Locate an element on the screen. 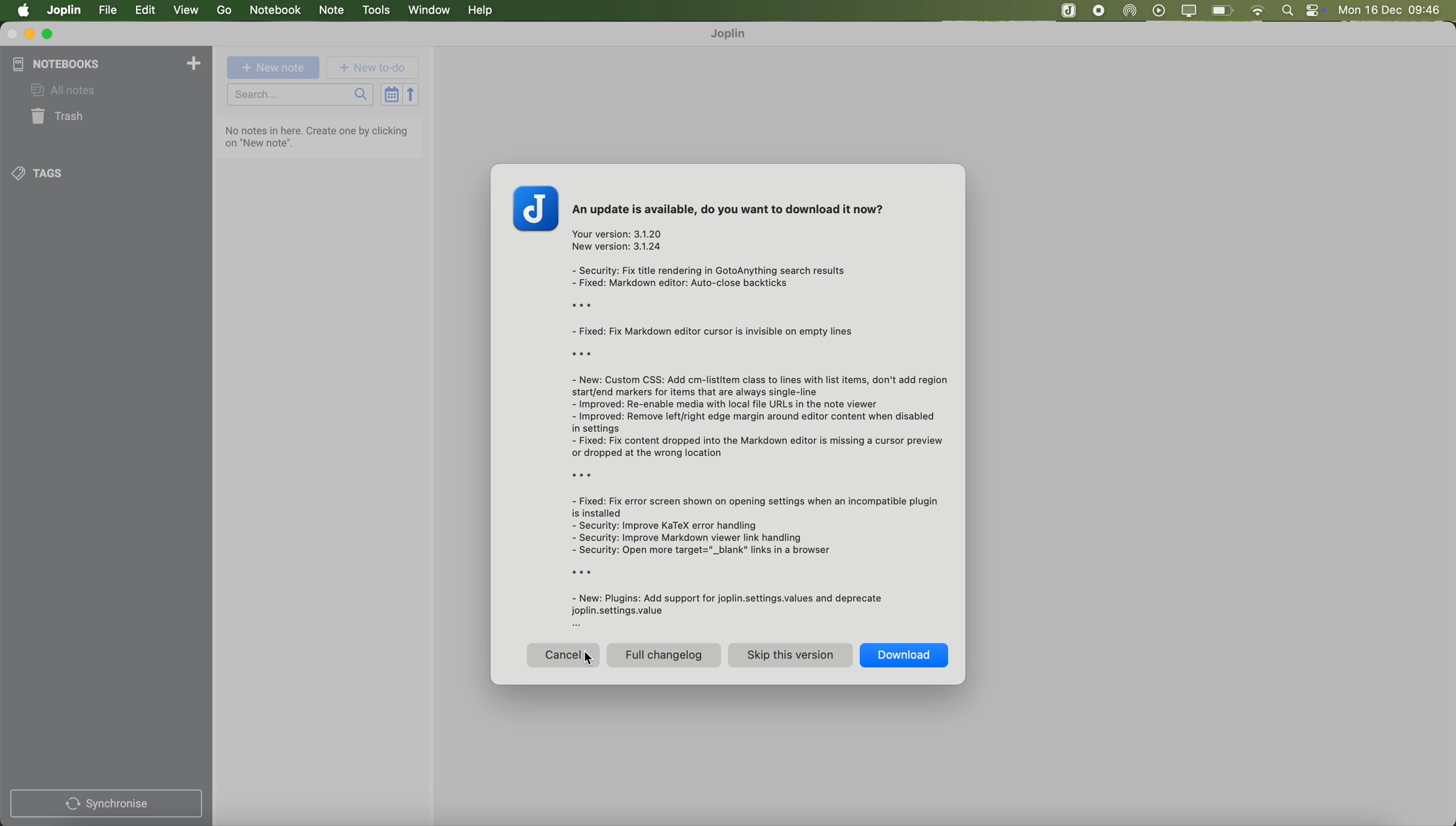 The width and height of the screenshot is (1456, 826).  close program is located at coordinates (10, 34).